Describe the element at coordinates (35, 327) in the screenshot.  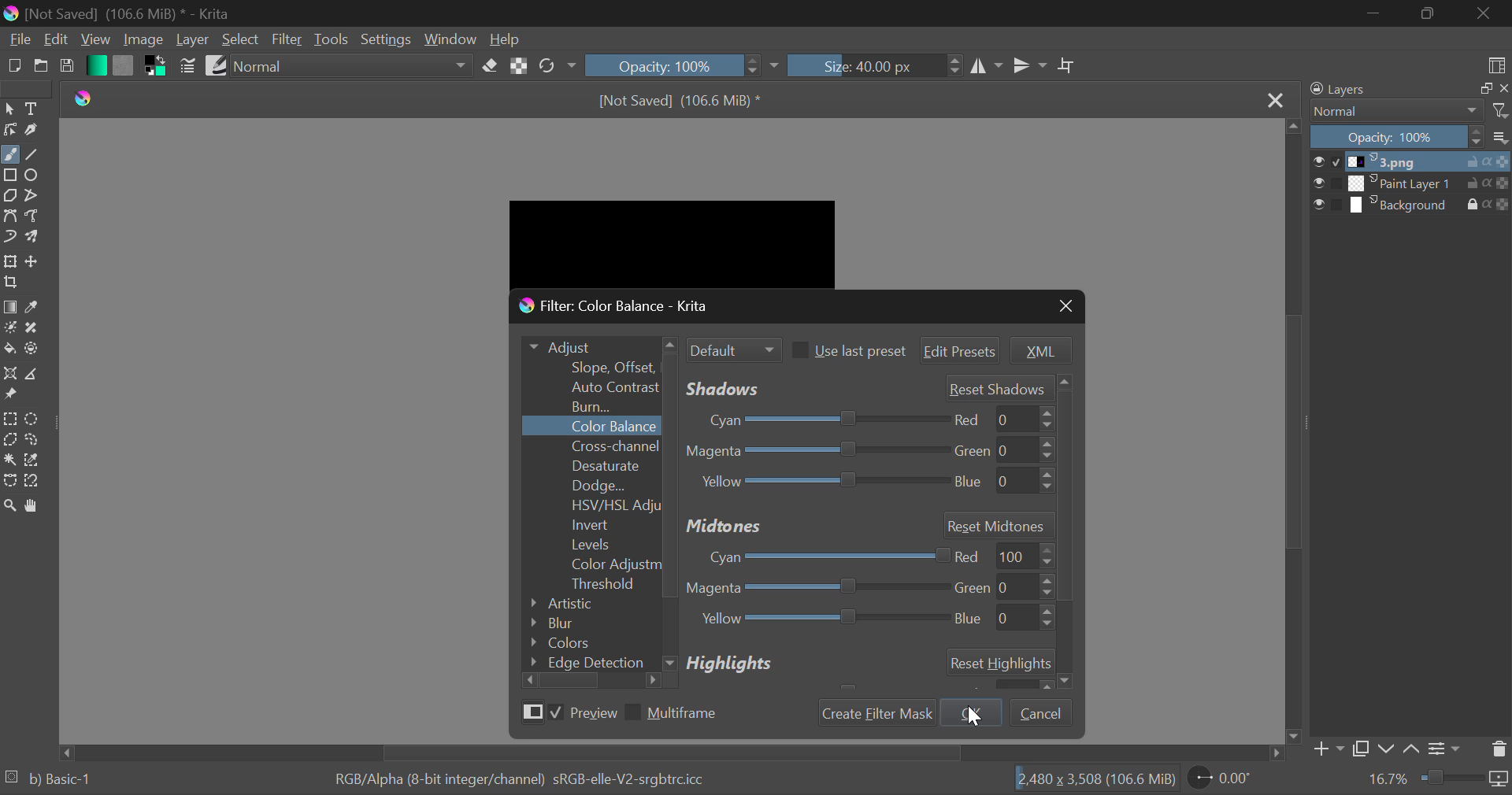
I see `Smart Patch Tool` at that location.